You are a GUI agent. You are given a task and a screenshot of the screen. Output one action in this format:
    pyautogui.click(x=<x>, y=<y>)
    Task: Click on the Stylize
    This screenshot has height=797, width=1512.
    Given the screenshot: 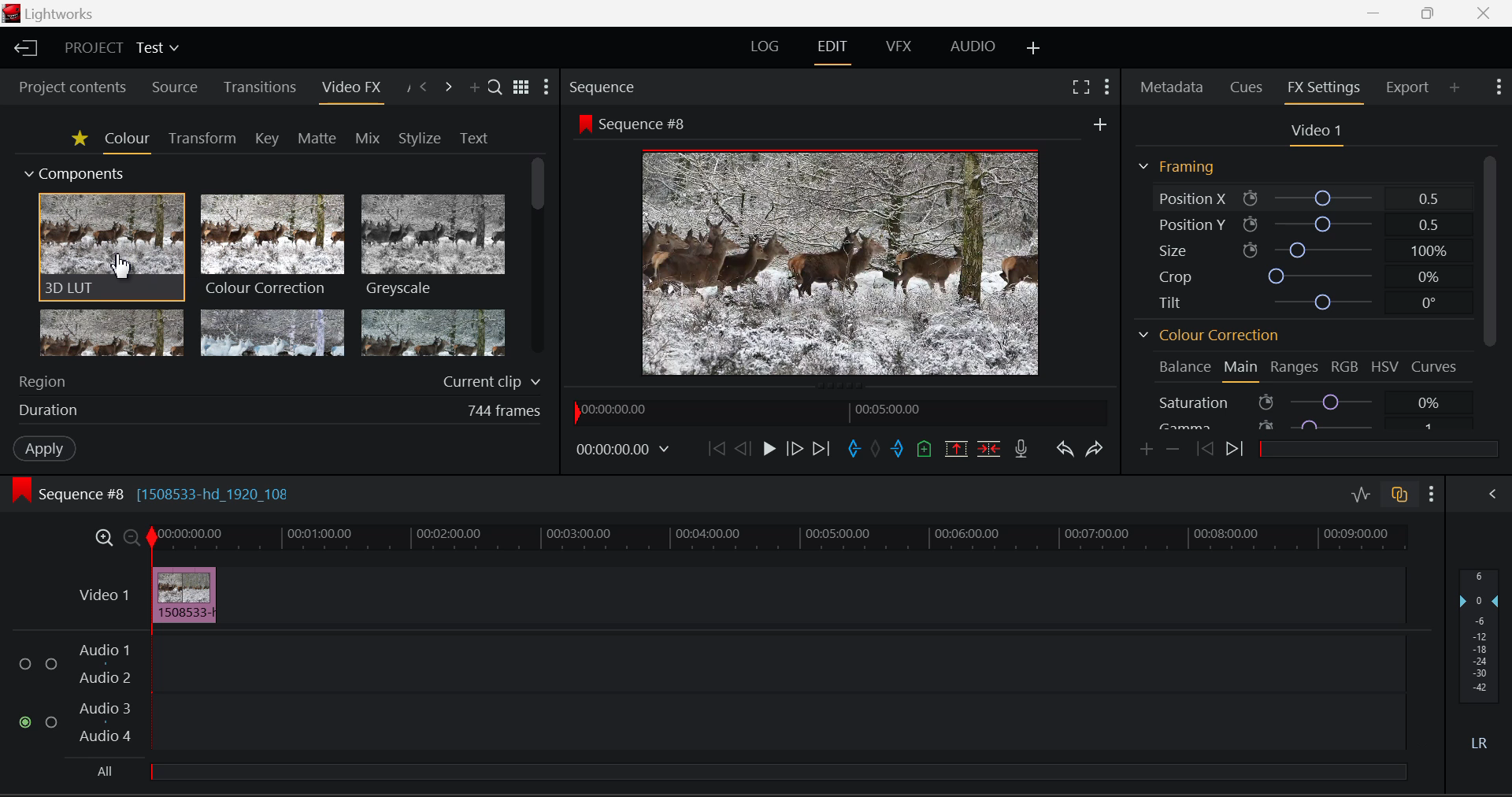 What is the action you would take?
    pyautogui.click(x=417, y=139)
    